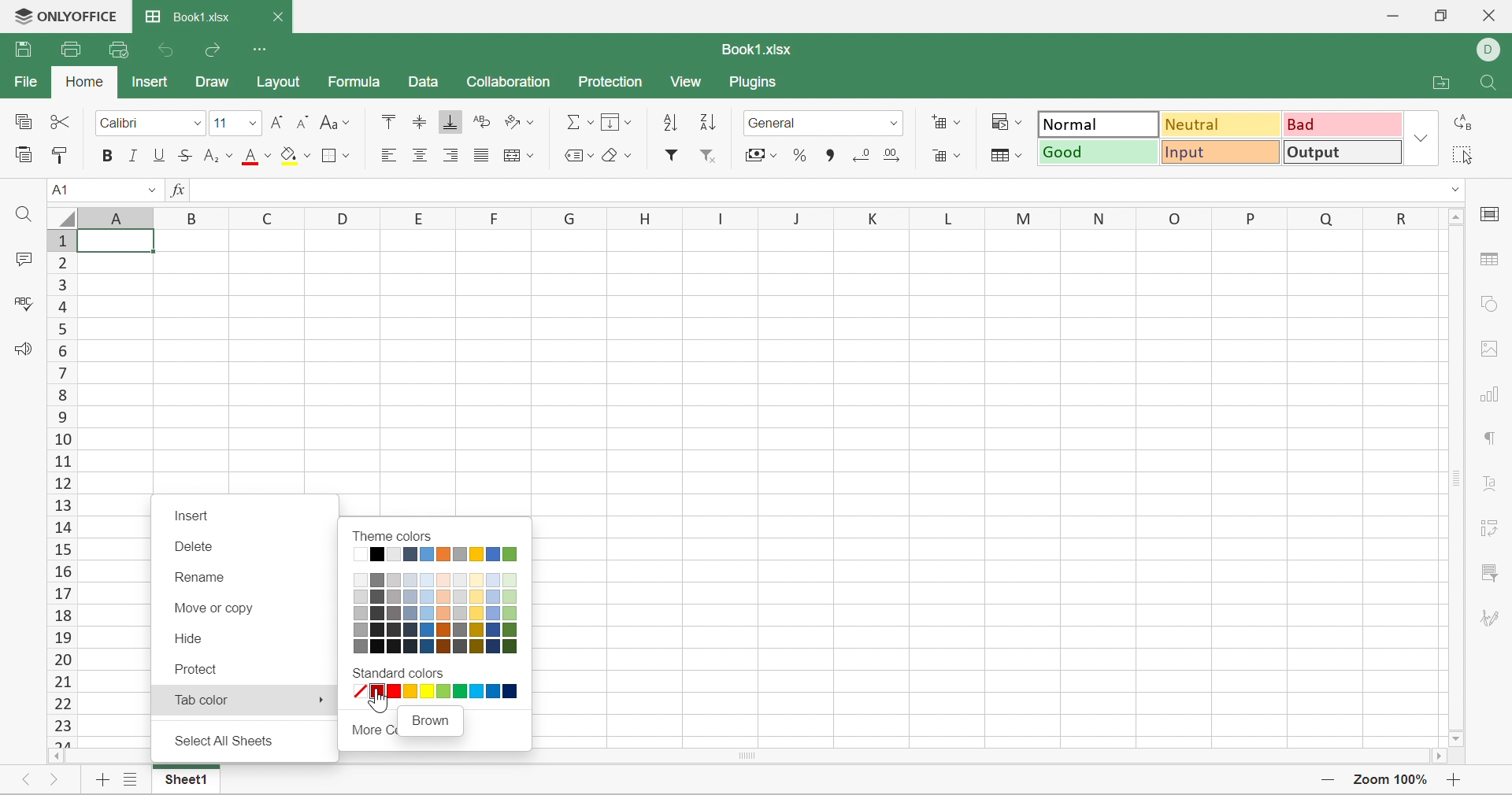  What do you see at coordinates (54, 755) in the screenshot?
I see `Scroll Left` at bounding box center [54, 755].